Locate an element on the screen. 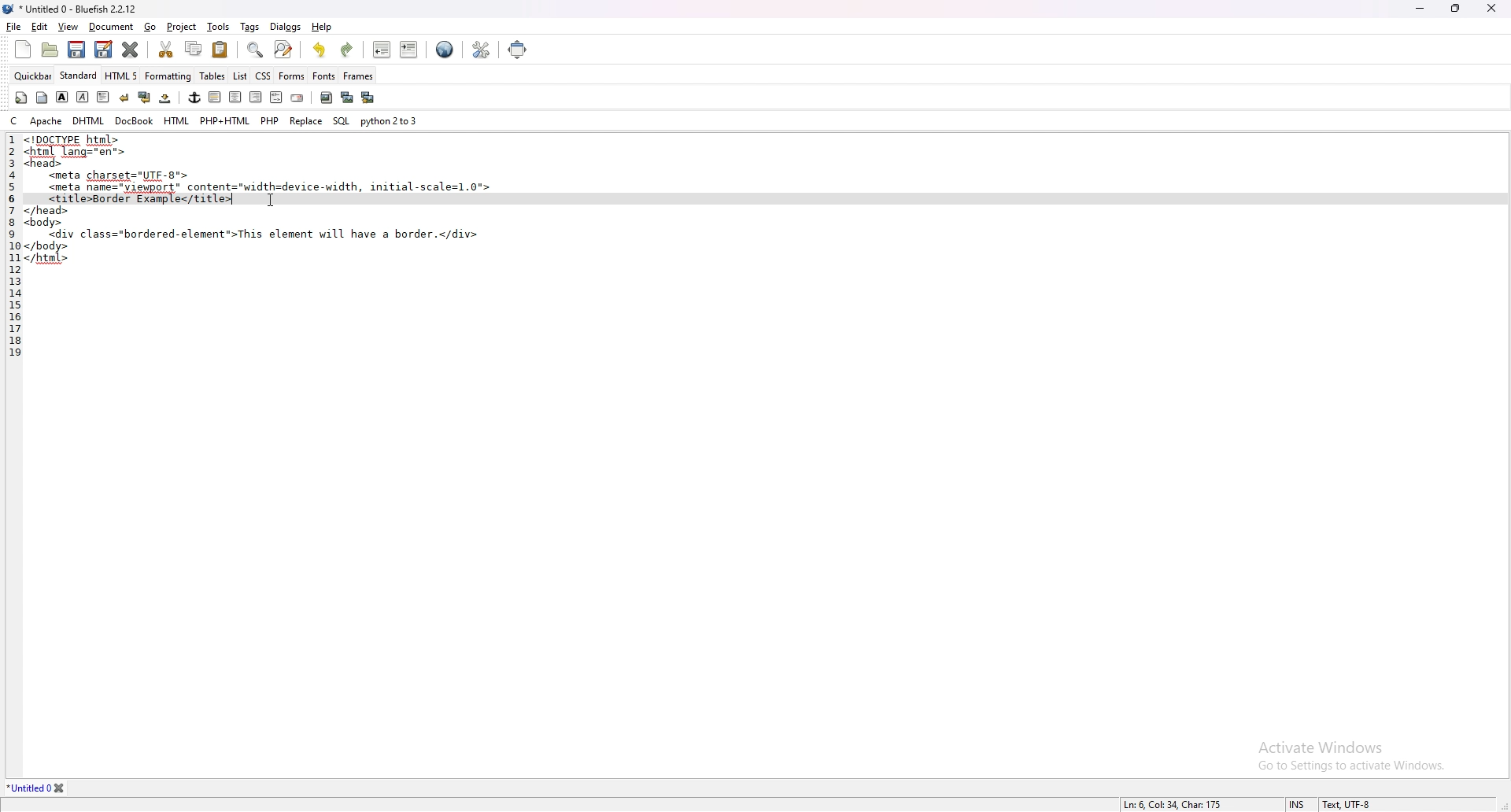  quickbar is located at coordinates (33, 76).